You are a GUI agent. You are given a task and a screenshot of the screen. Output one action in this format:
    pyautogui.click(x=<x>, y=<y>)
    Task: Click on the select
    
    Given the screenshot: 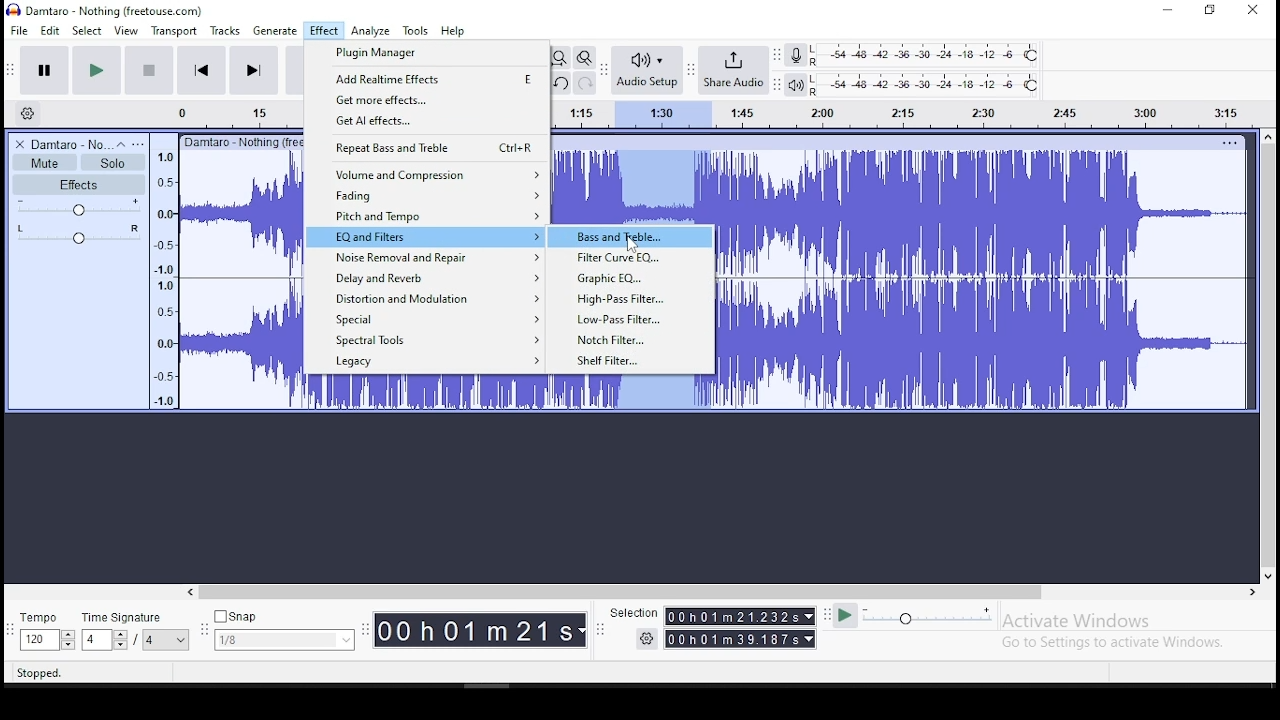 What is the action you would take?
    pyautogui.click(x=89, y=30)
    